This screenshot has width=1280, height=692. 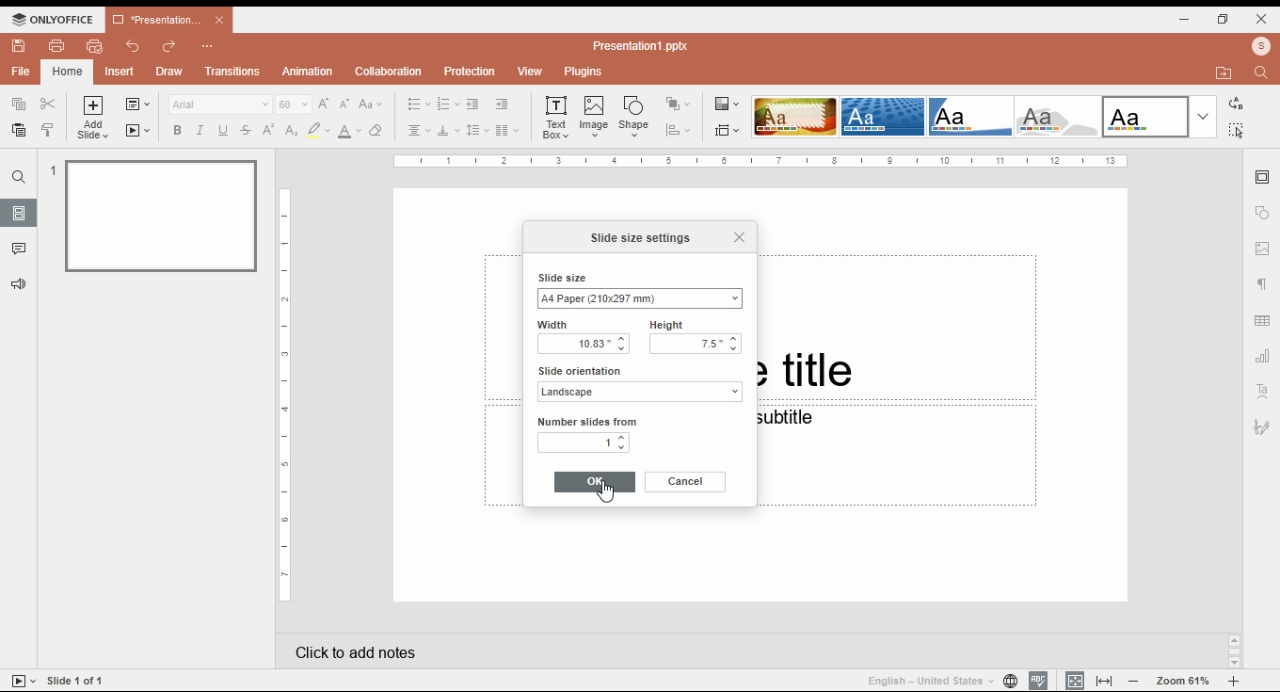 I want to click on bold, so click(x=176, y=130).